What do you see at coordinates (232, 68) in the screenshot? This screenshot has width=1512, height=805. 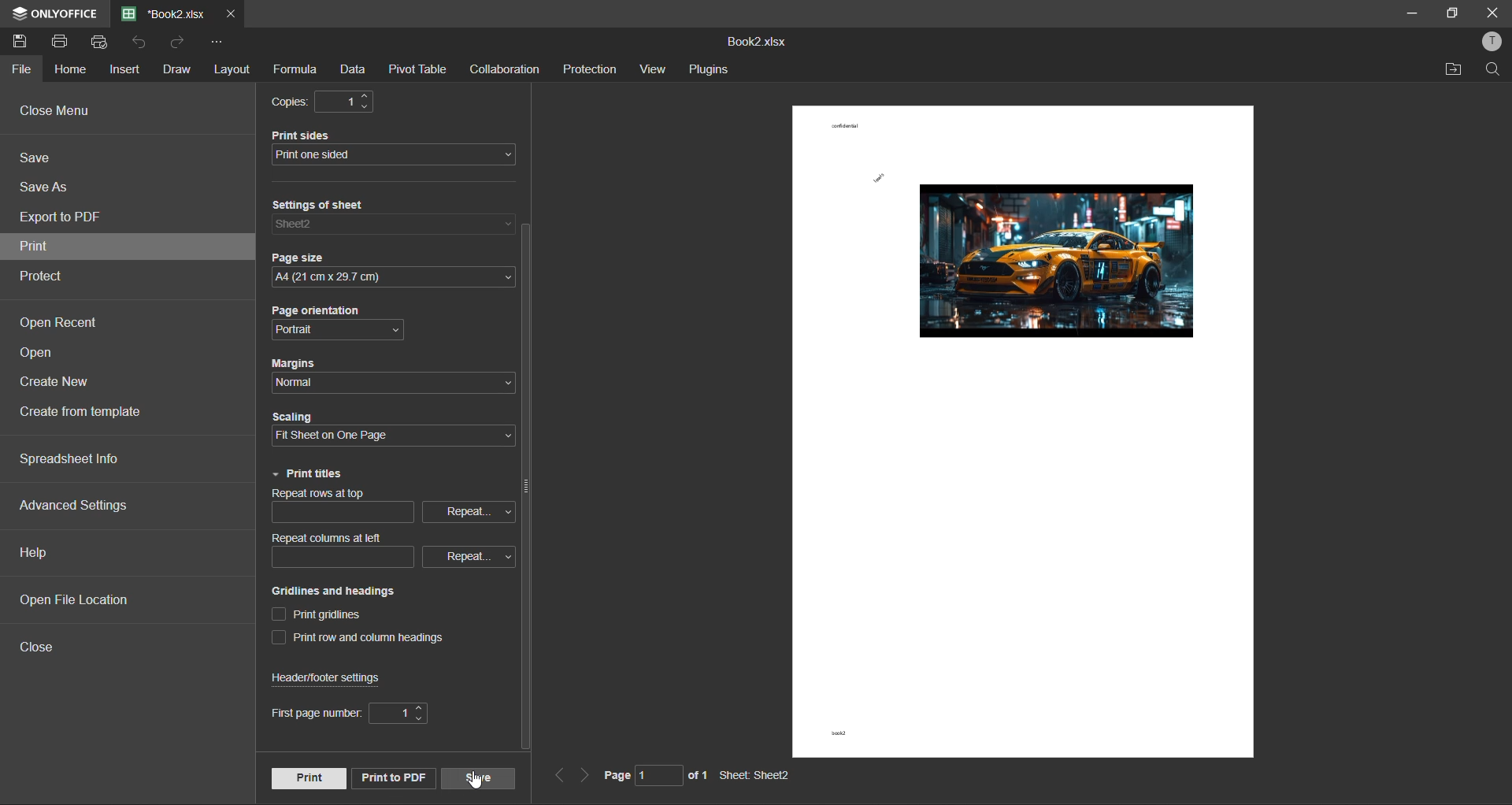 I see `layout` at bounding box center [232, 68].